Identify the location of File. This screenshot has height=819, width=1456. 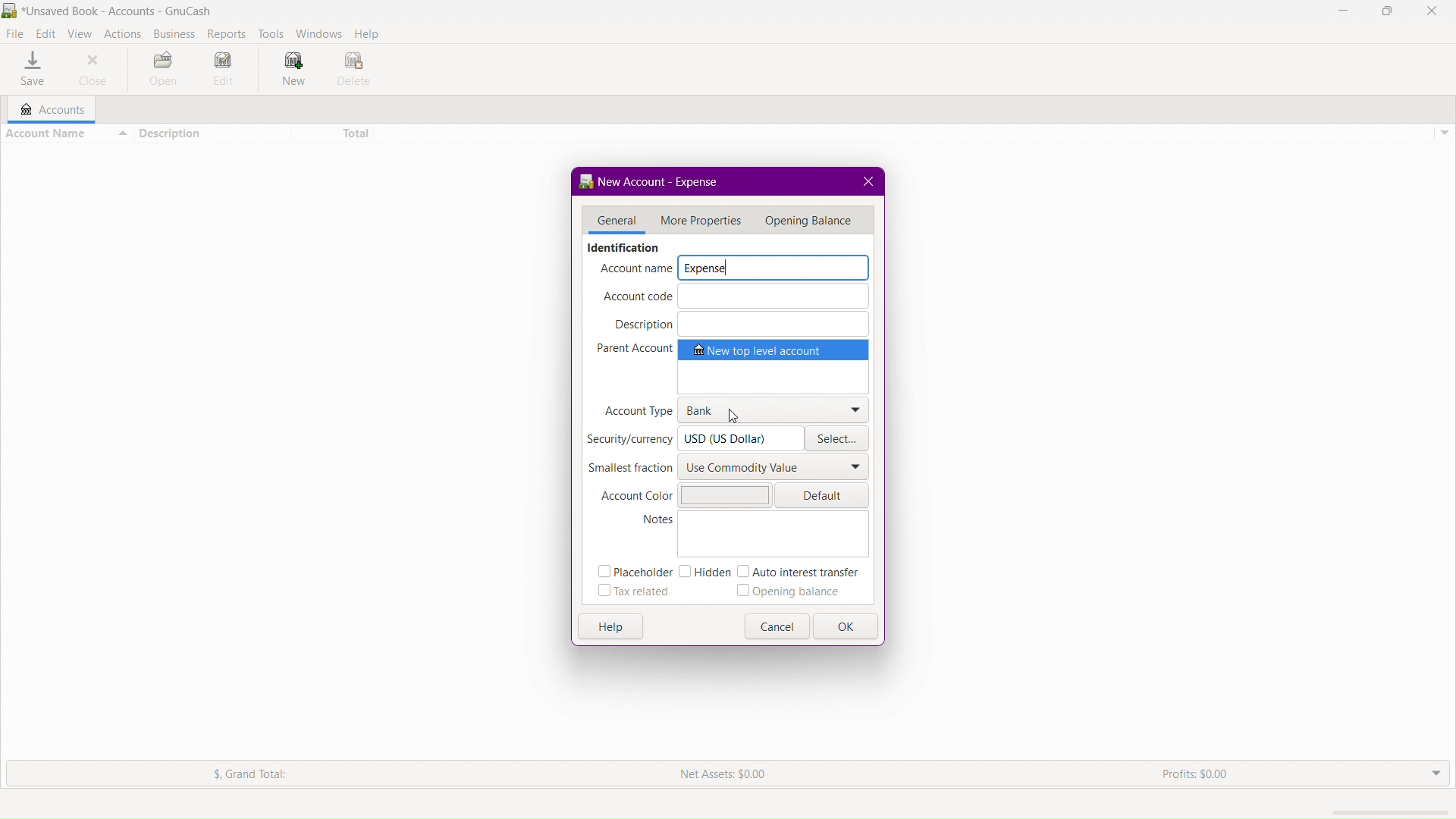
(17, 32).